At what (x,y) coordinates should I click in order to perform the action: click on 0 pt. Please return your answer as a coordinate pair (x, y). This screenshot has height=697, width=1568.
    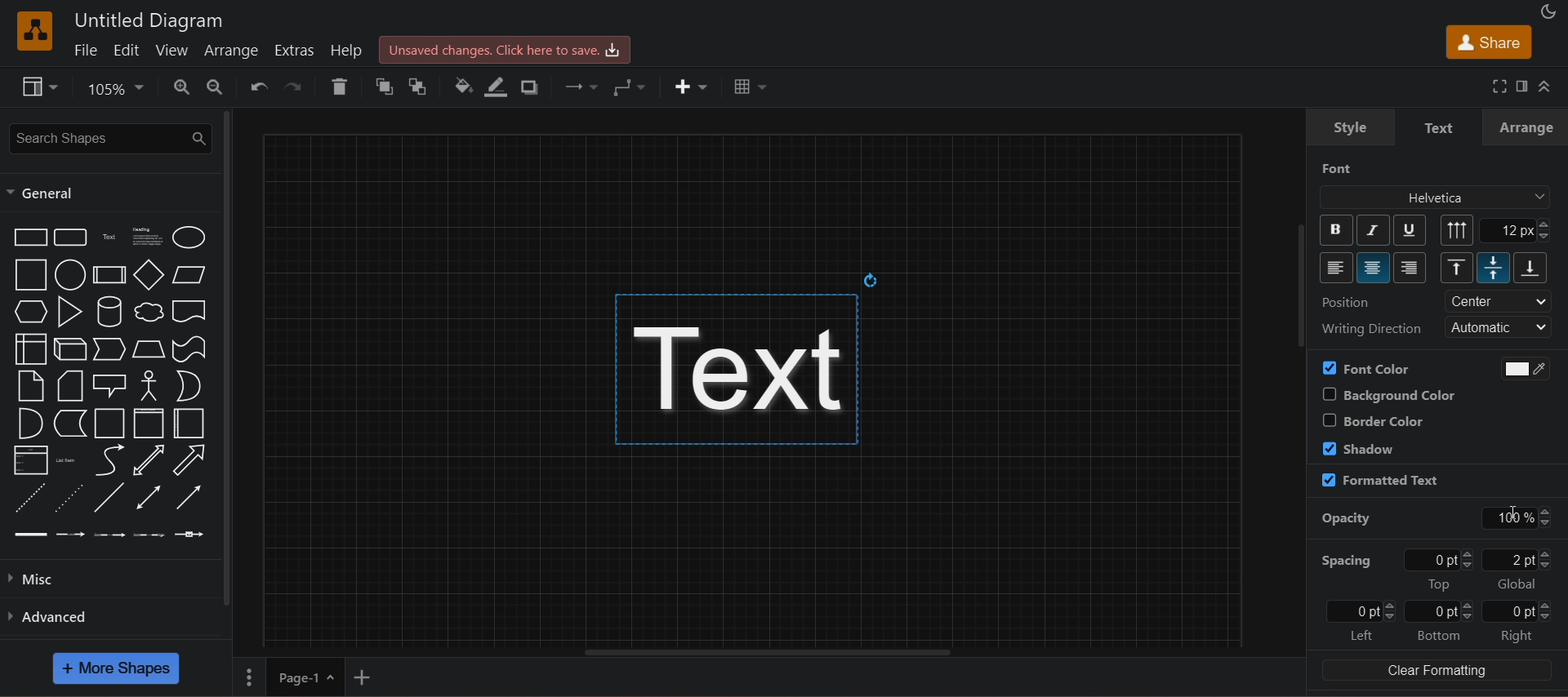
    Looking at the image, I should click on (1439, 612).